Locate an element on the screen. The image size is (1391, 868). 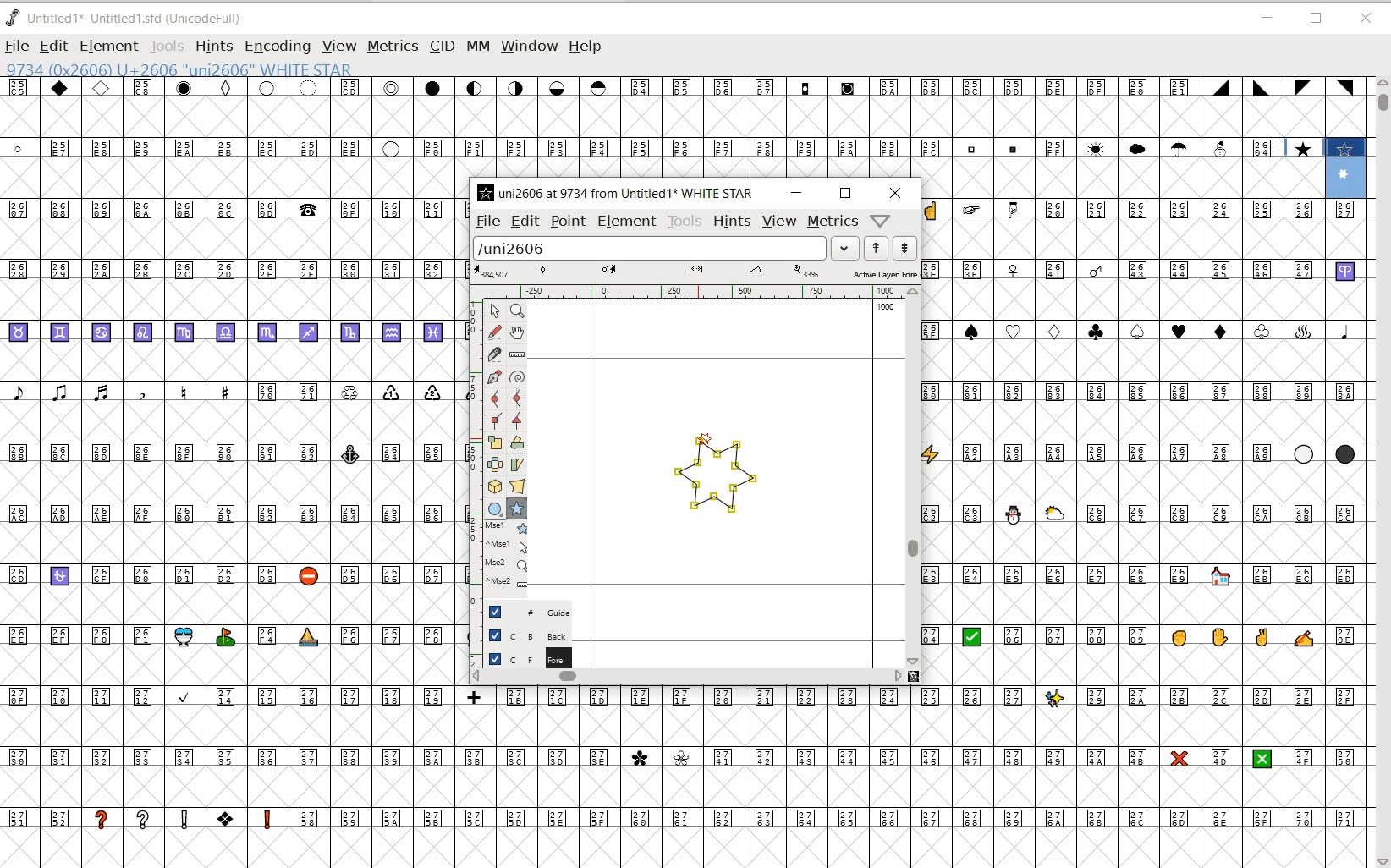
GLYPHY CHARACTERS & NUMBERS is located at coordinates (229, 523).